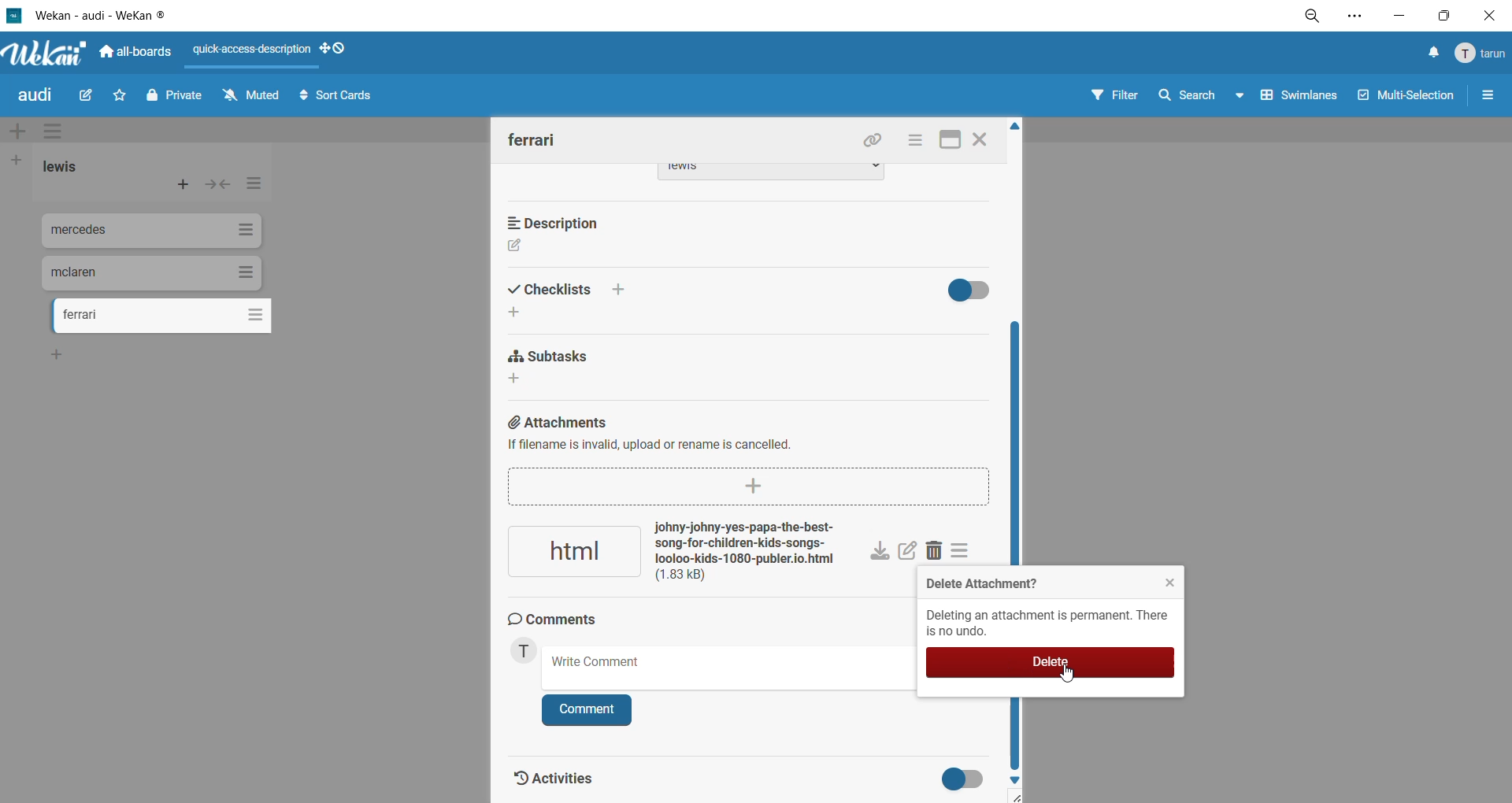  What do you see at coordinates (881, 553) in the screenshot?
I see `download` at bounding box center [881, 553].